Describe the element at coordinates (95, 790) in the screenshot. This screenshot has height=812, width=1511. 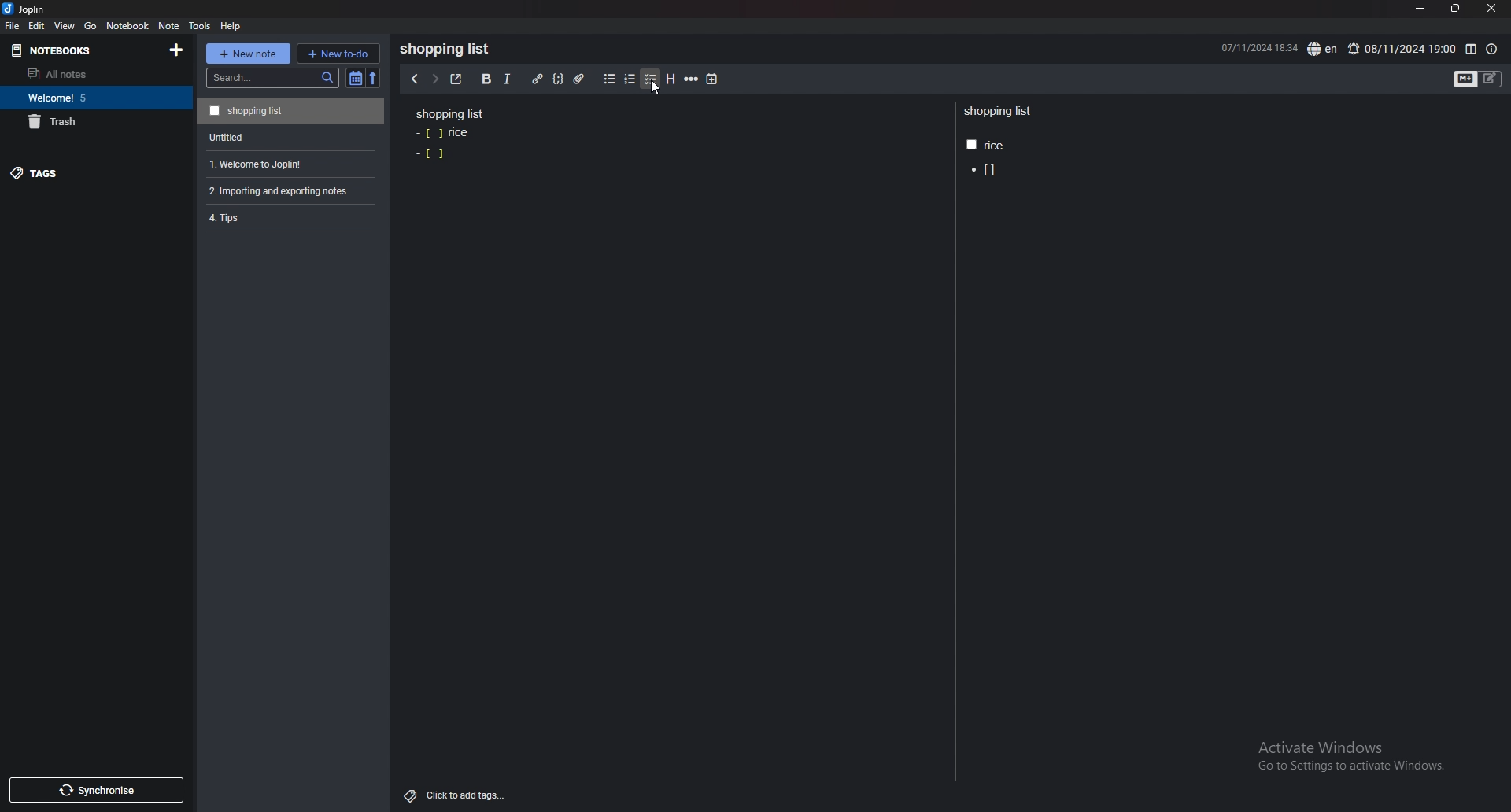
I see `synchronize` at that location.